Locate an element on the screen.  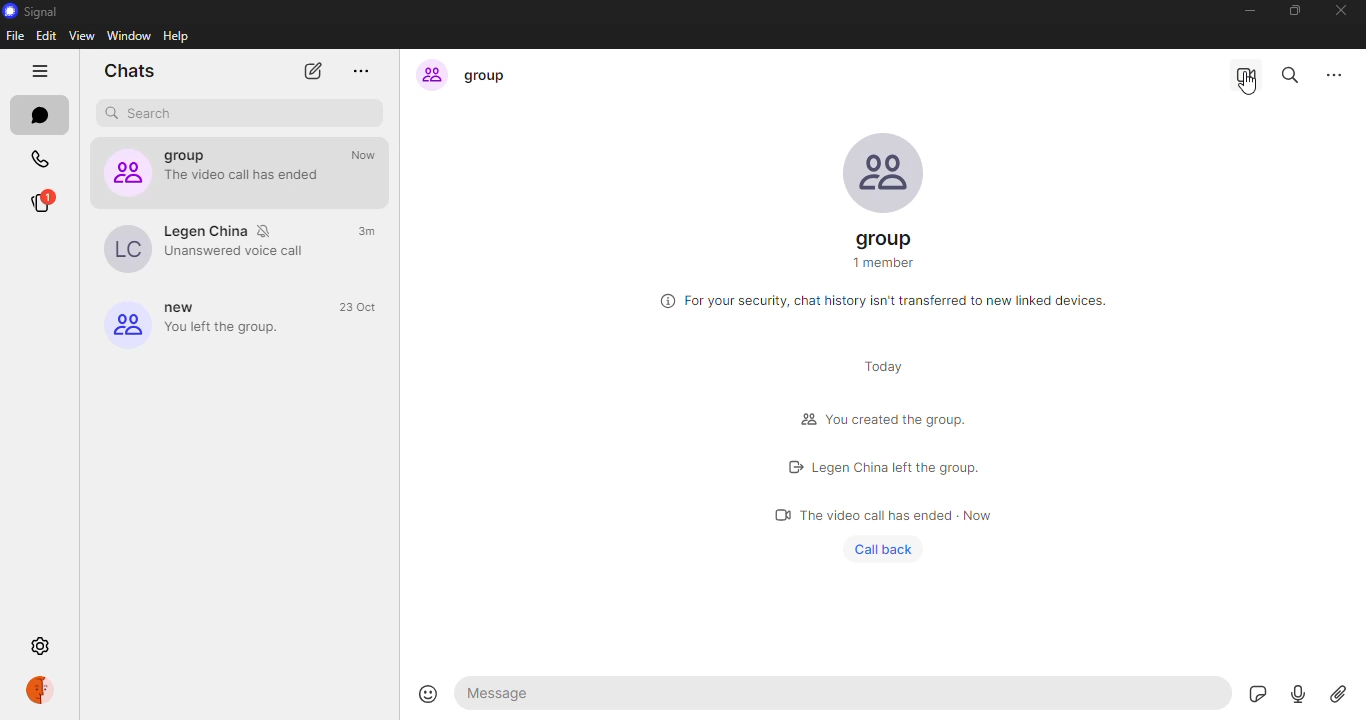
chats is located at coordinates (133, 71).